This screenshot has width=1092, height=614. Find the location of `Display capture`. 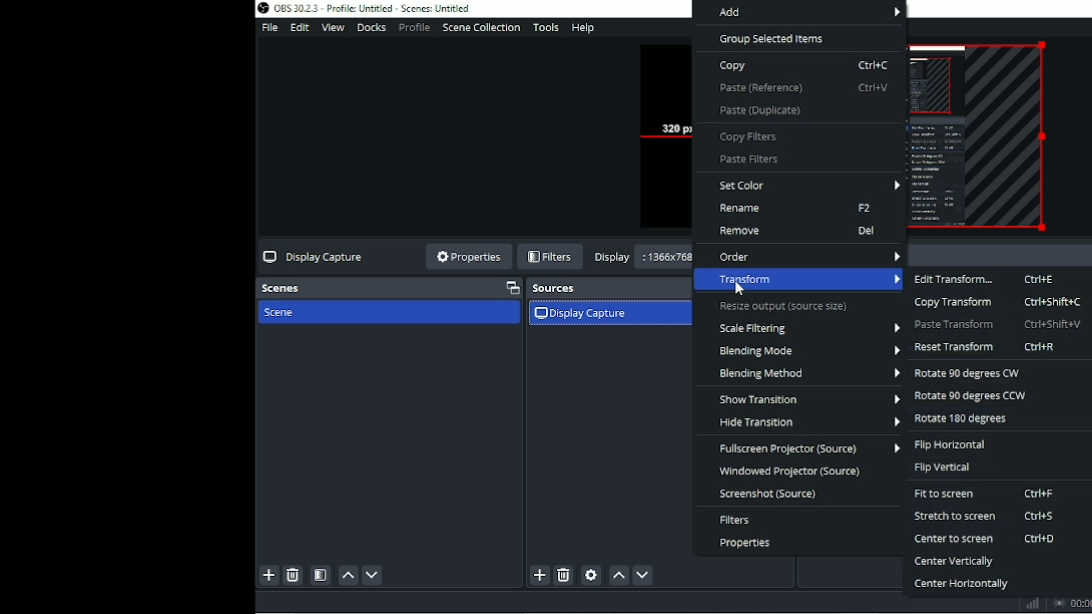

Display capture is located at coordinates (585, 314).